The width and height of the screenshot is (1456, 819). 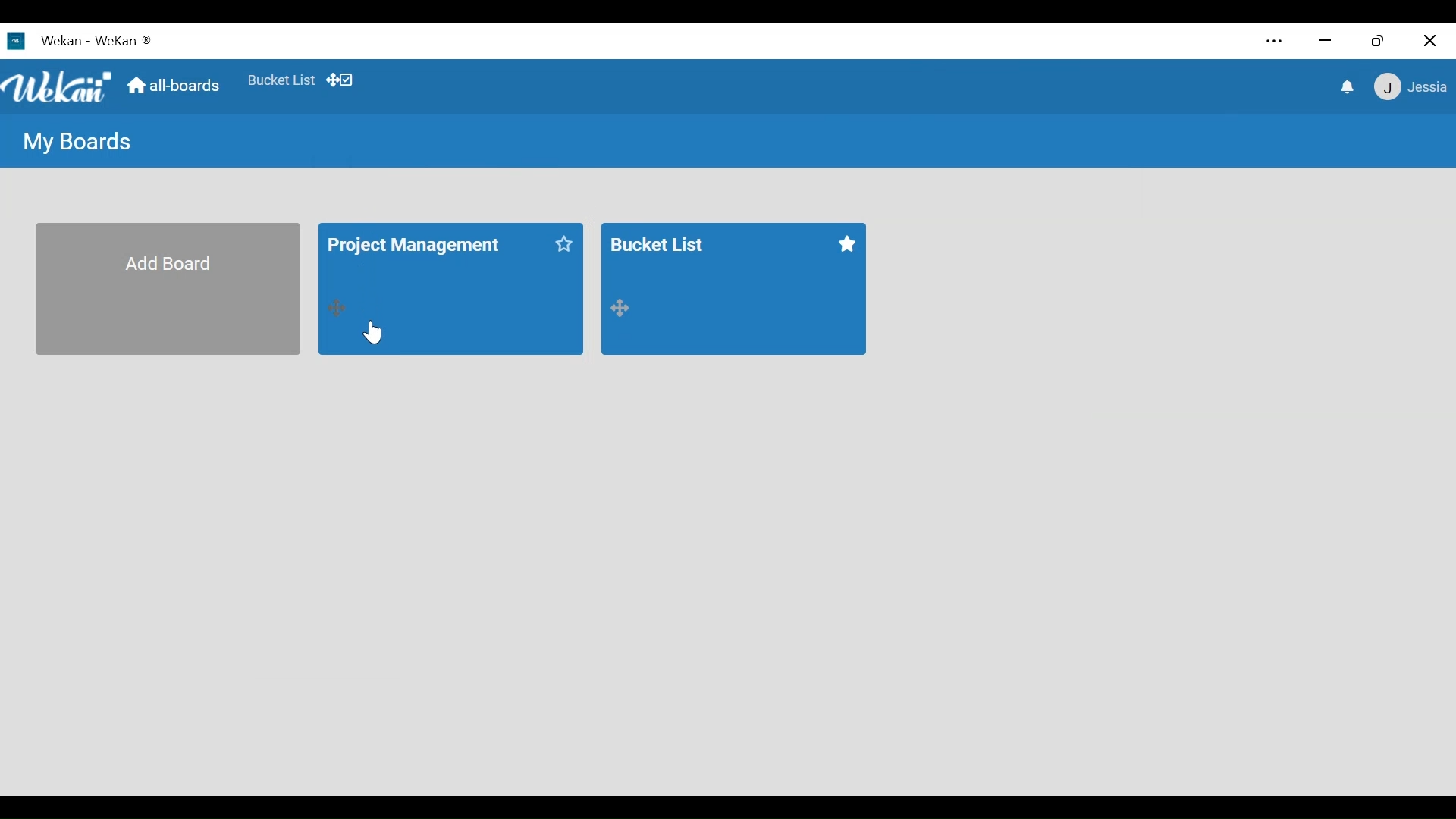 What do you see at coordinates (283, 80) in the screenshot?
I see `Favorites` at bounding box center [283, 80].